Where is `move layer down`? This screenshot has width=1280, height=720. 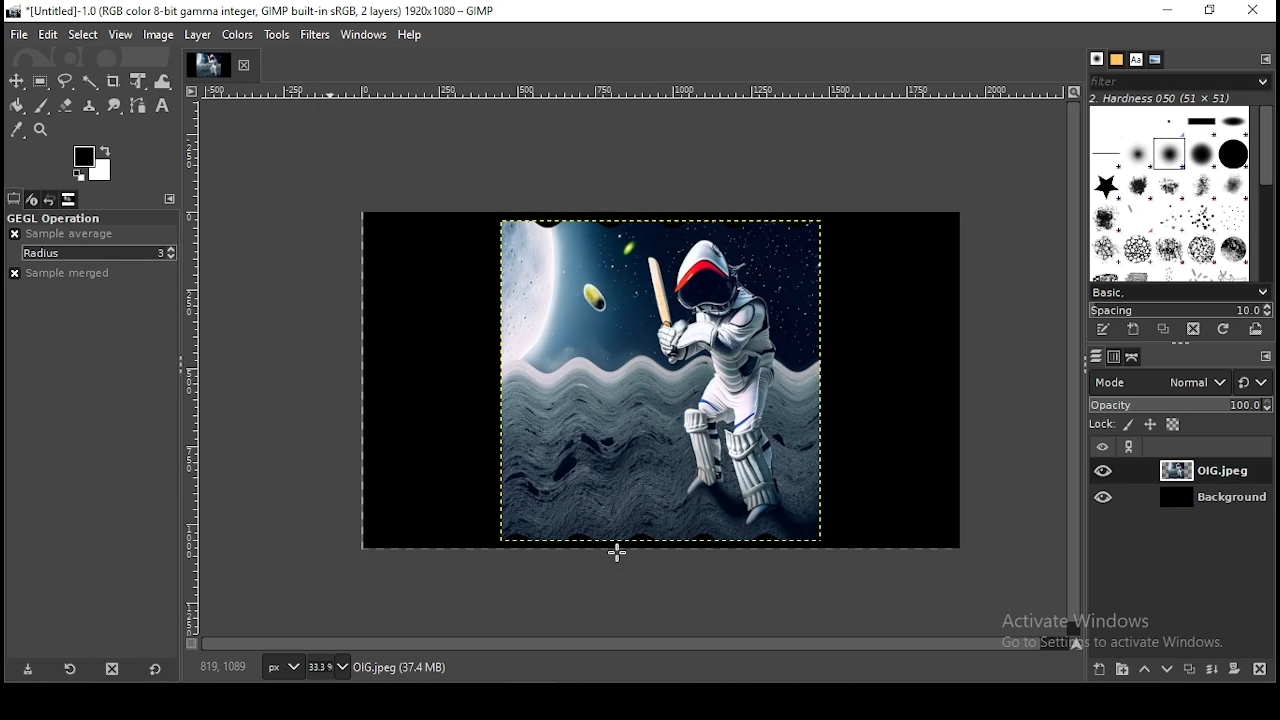
move layer down is located at coordinates (1168, 672).